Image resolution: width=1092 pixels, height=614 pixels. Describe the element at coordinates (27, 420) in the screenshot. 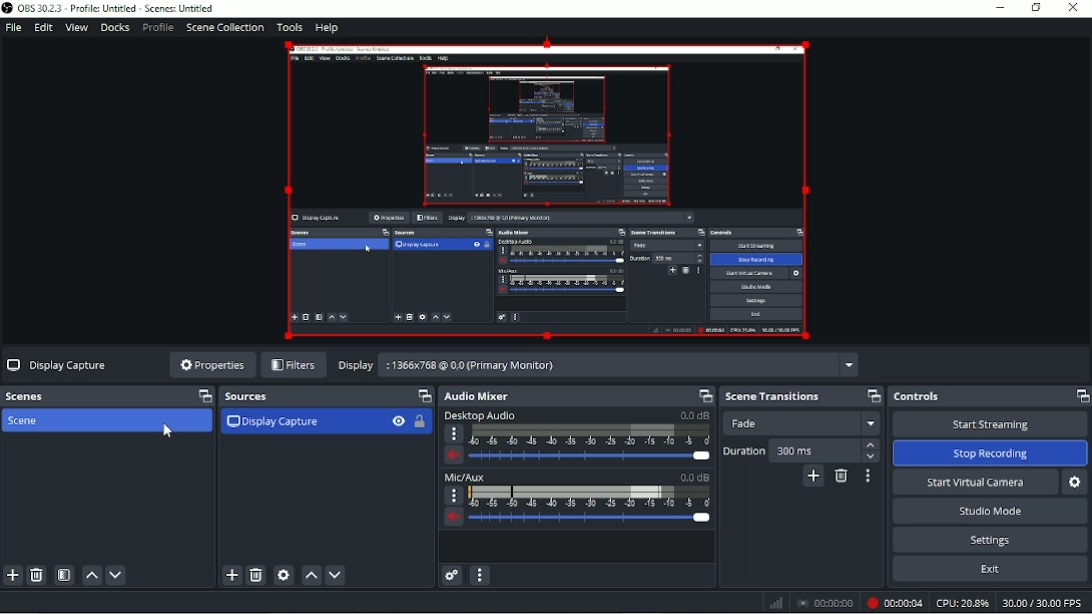

I see `Scene` at that location.